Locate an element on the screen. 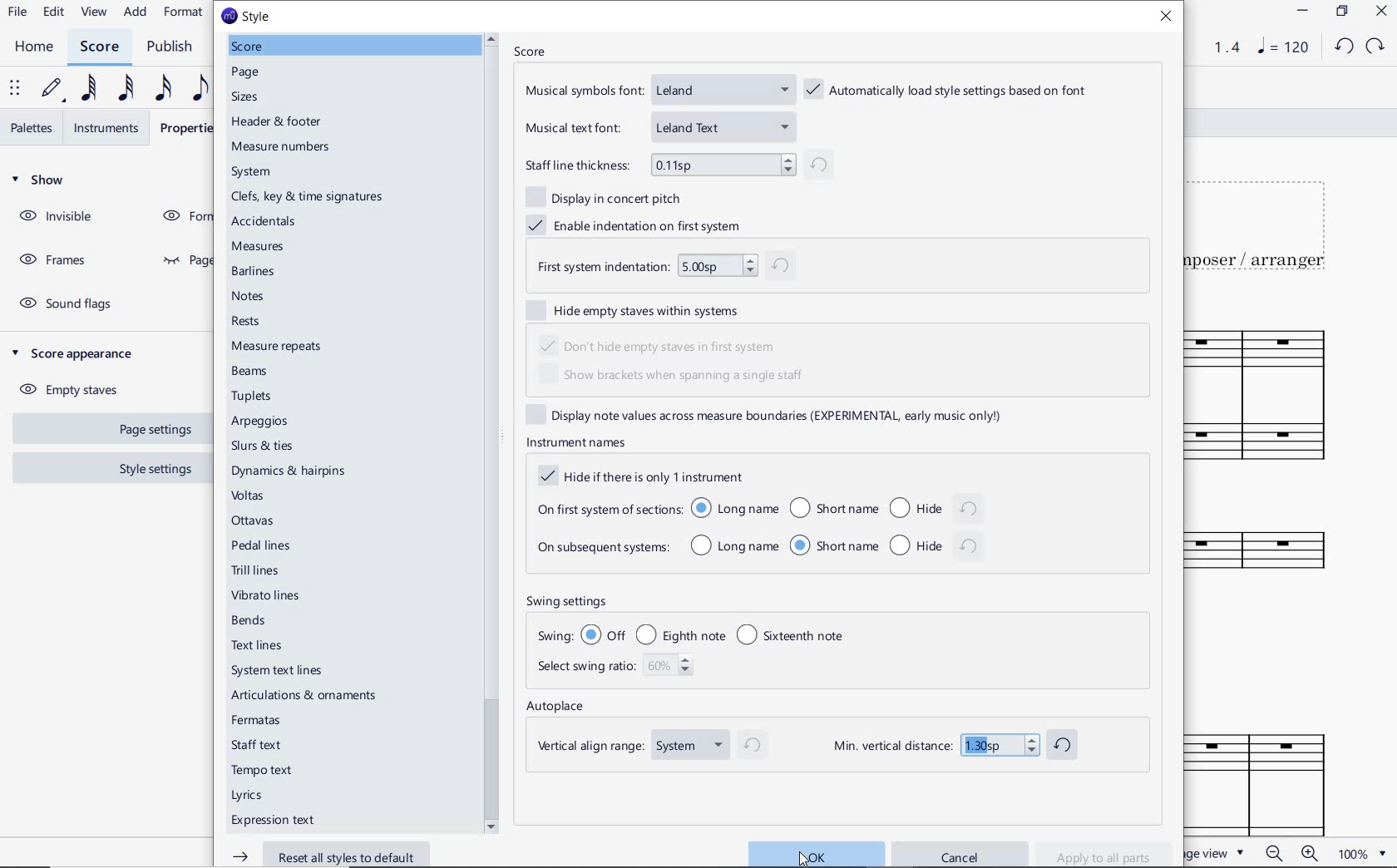  on subsequent systems is located at coordinates (601, 550).